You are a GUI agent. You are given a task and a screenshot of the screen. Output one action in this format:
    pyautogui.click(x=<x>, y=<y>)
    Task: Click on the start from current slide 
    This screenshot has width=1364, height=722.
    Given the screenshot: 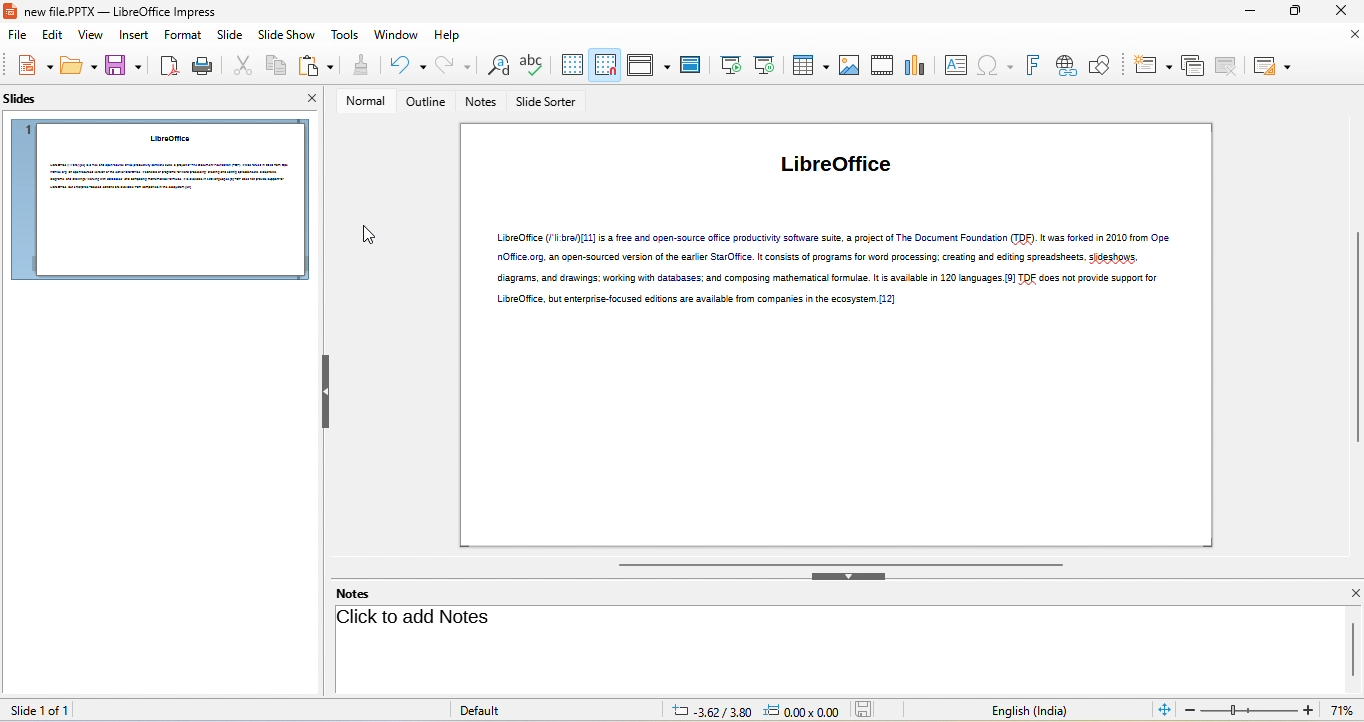 What is the action you would take?
    pyautogui.click(x=767, y=65)
    